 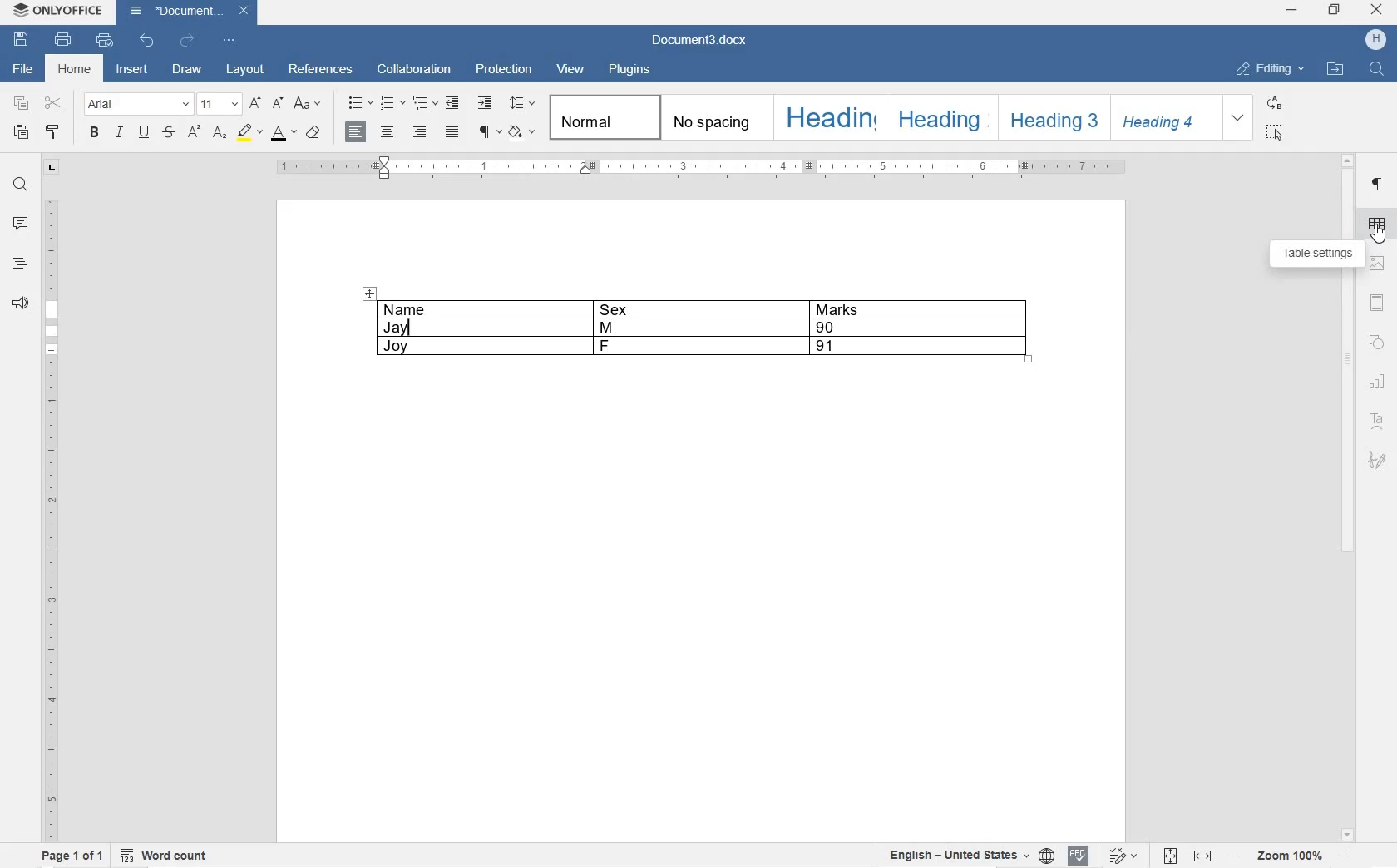 What do you see at coordinates (22, 133) in the screenshot?
I see `PASTE` at bounding box center [22, 133].